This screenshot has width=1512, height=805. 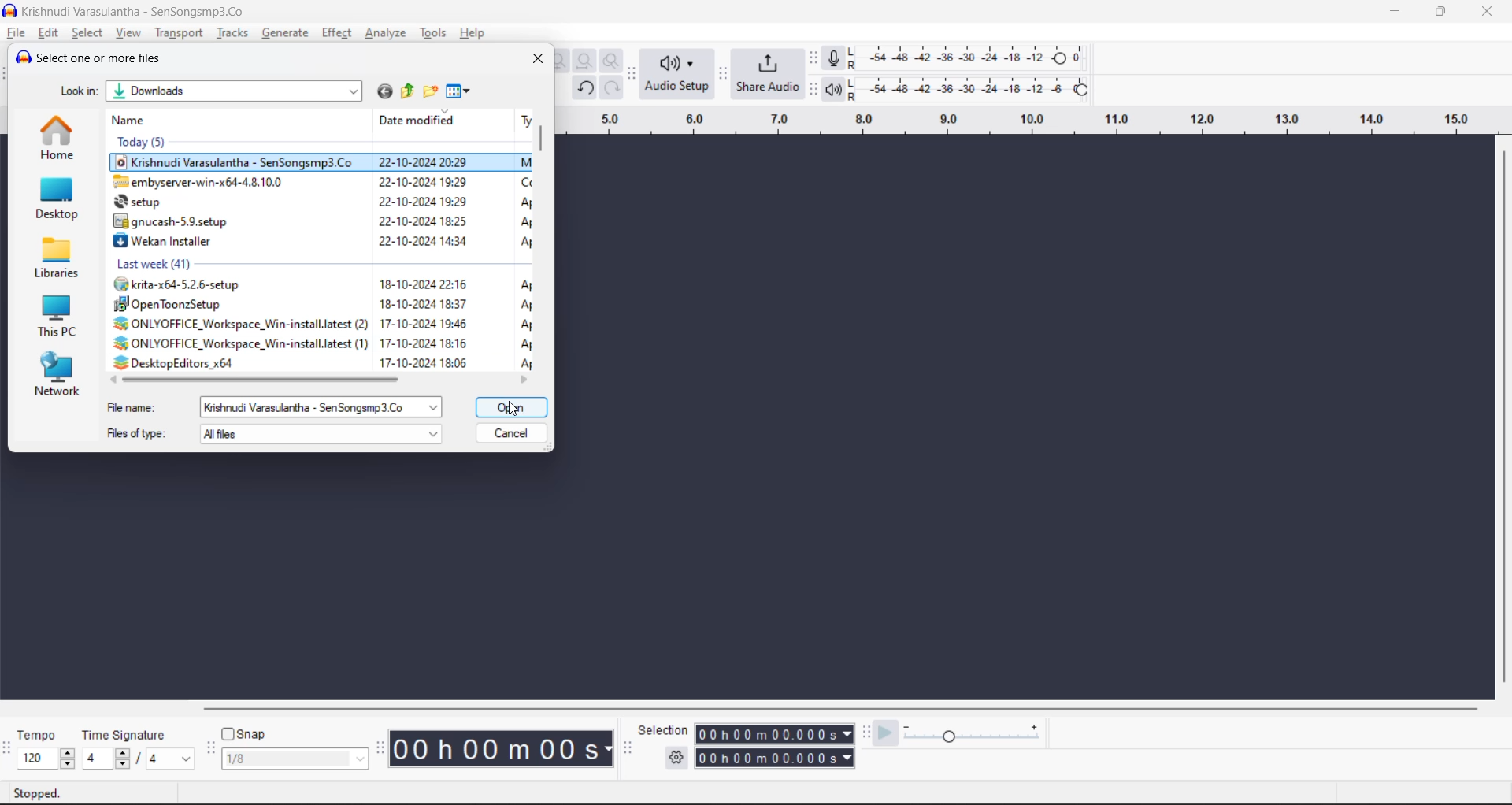 I want to click on zoom toggle, so click(x=614, y=61).